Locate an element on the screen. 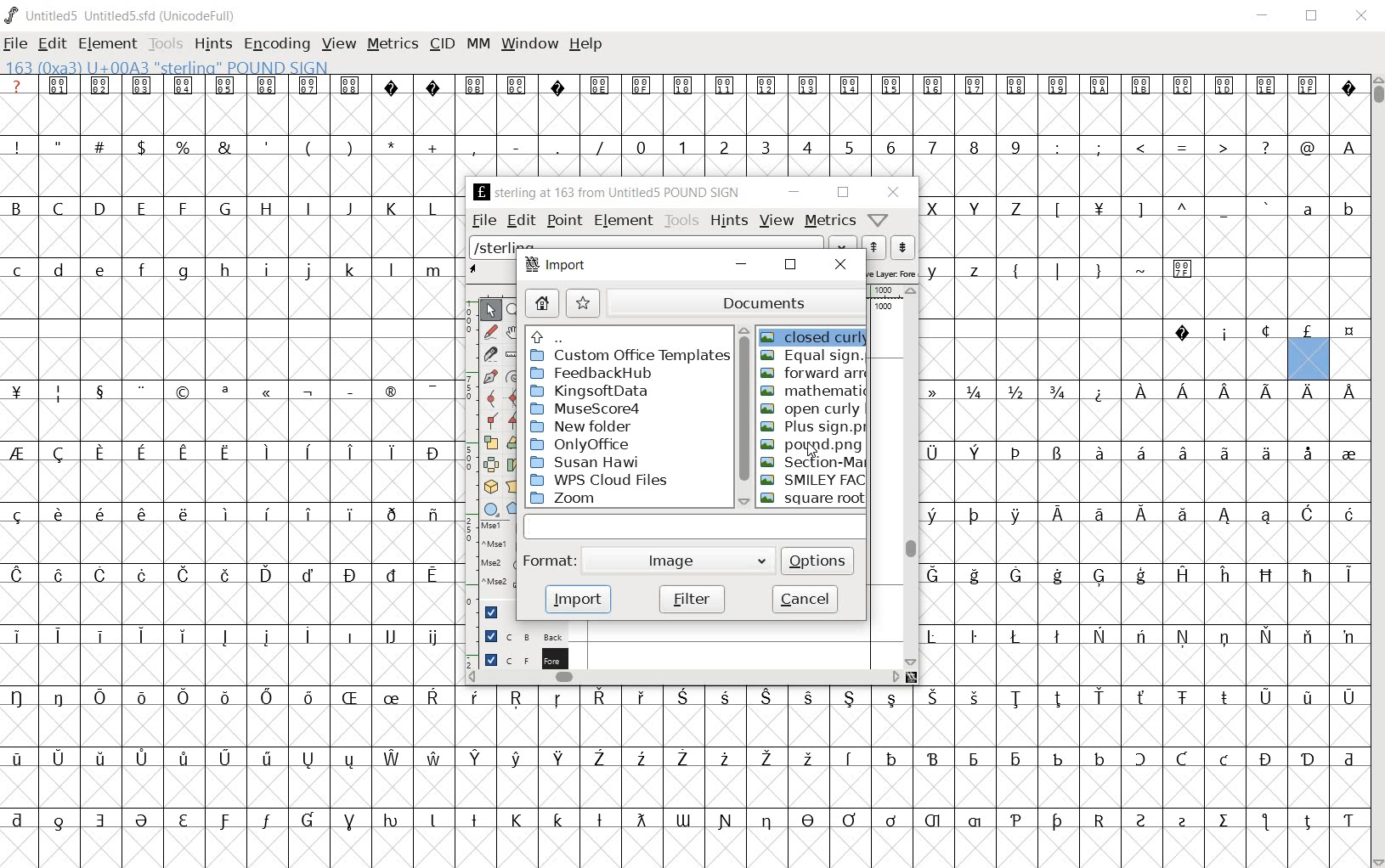  Symbol is located at coordinates (974, 85).